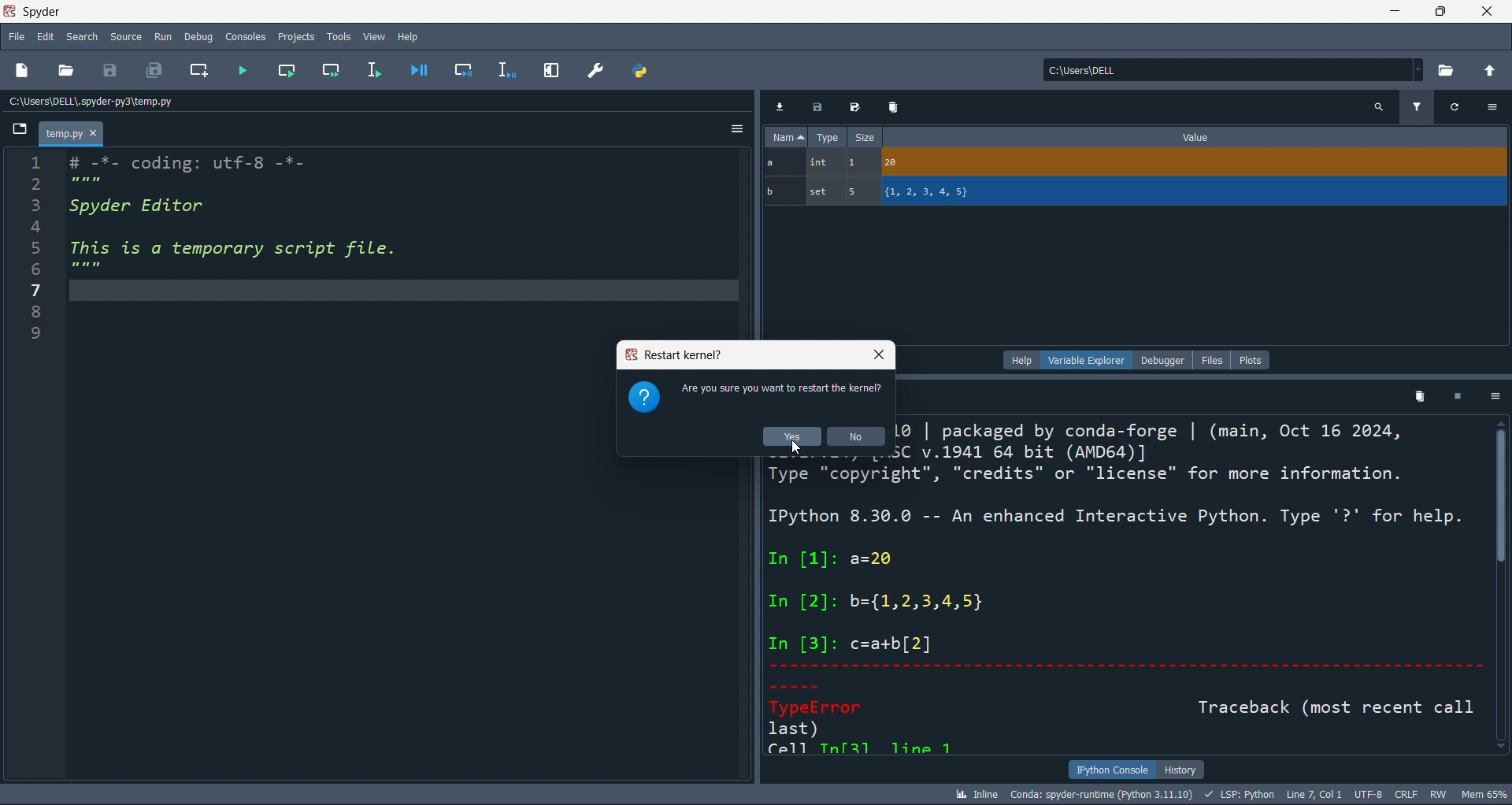  Describe the element at coordinates (895, 107) in the screenshot. I see `delete` at that location.